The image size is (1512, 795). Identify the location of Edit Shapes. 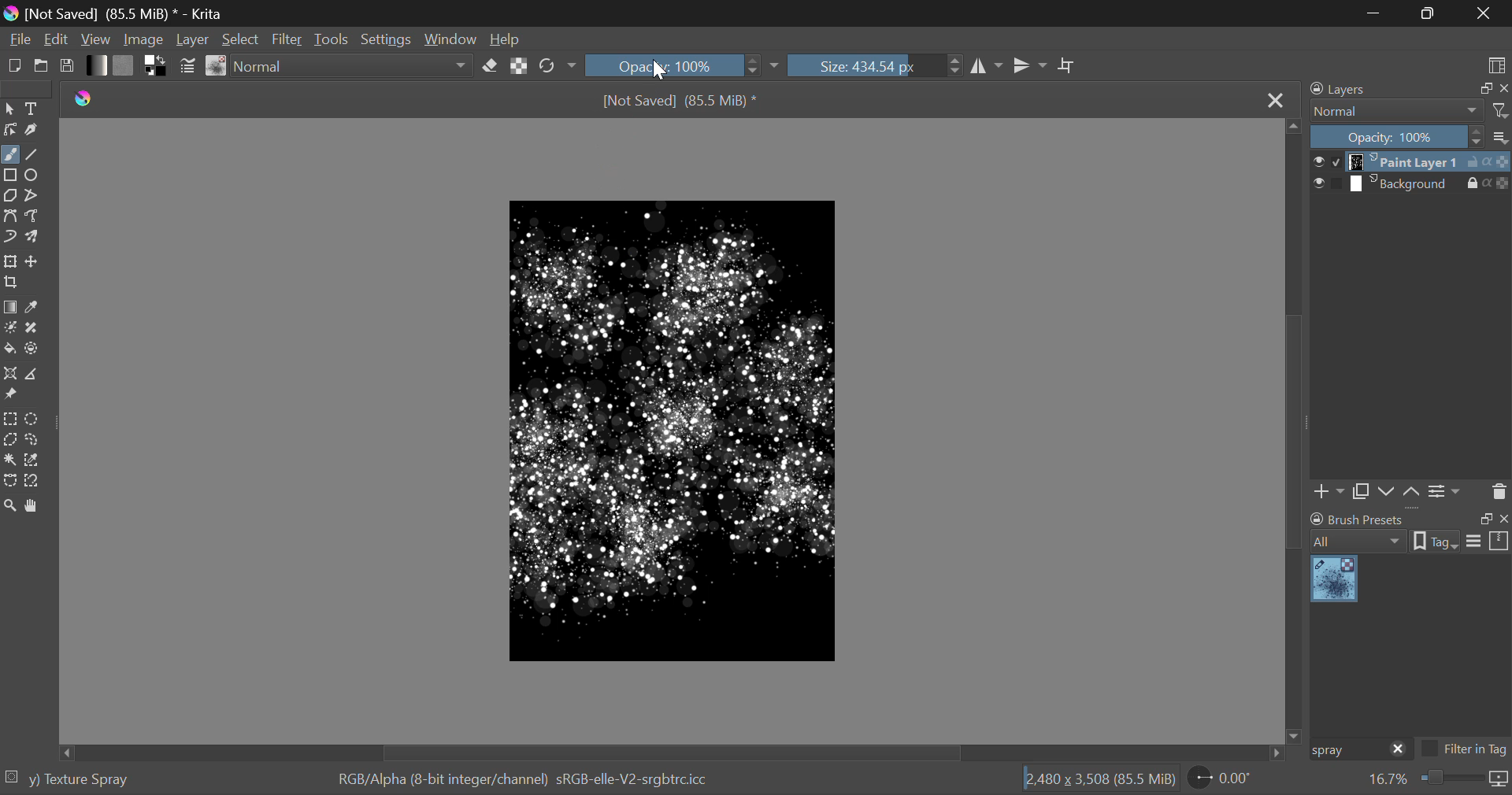
(11, 130).